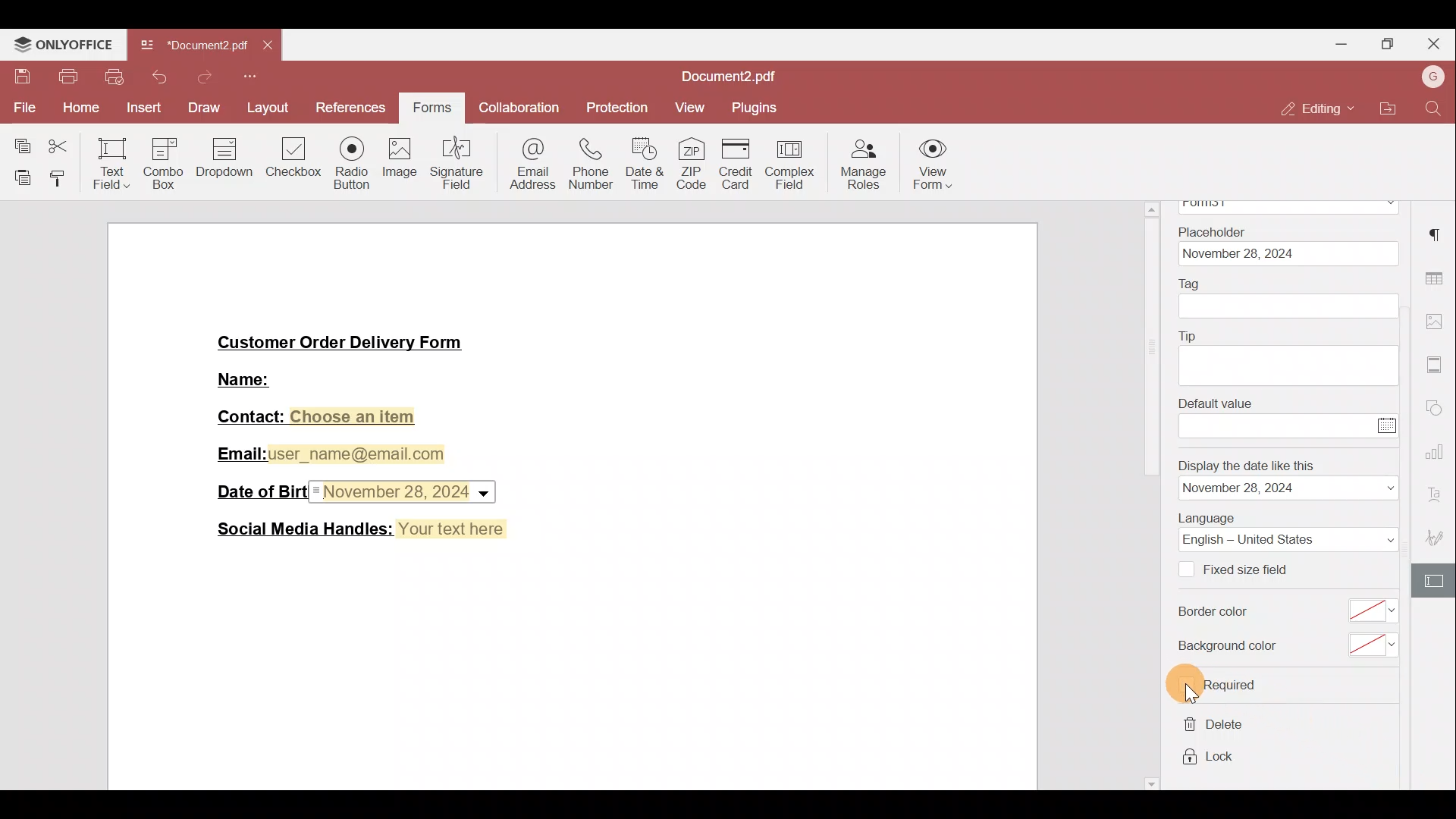 This screenshot has height=819, width=1456. I want to click on Radio button, so click(351, 159).